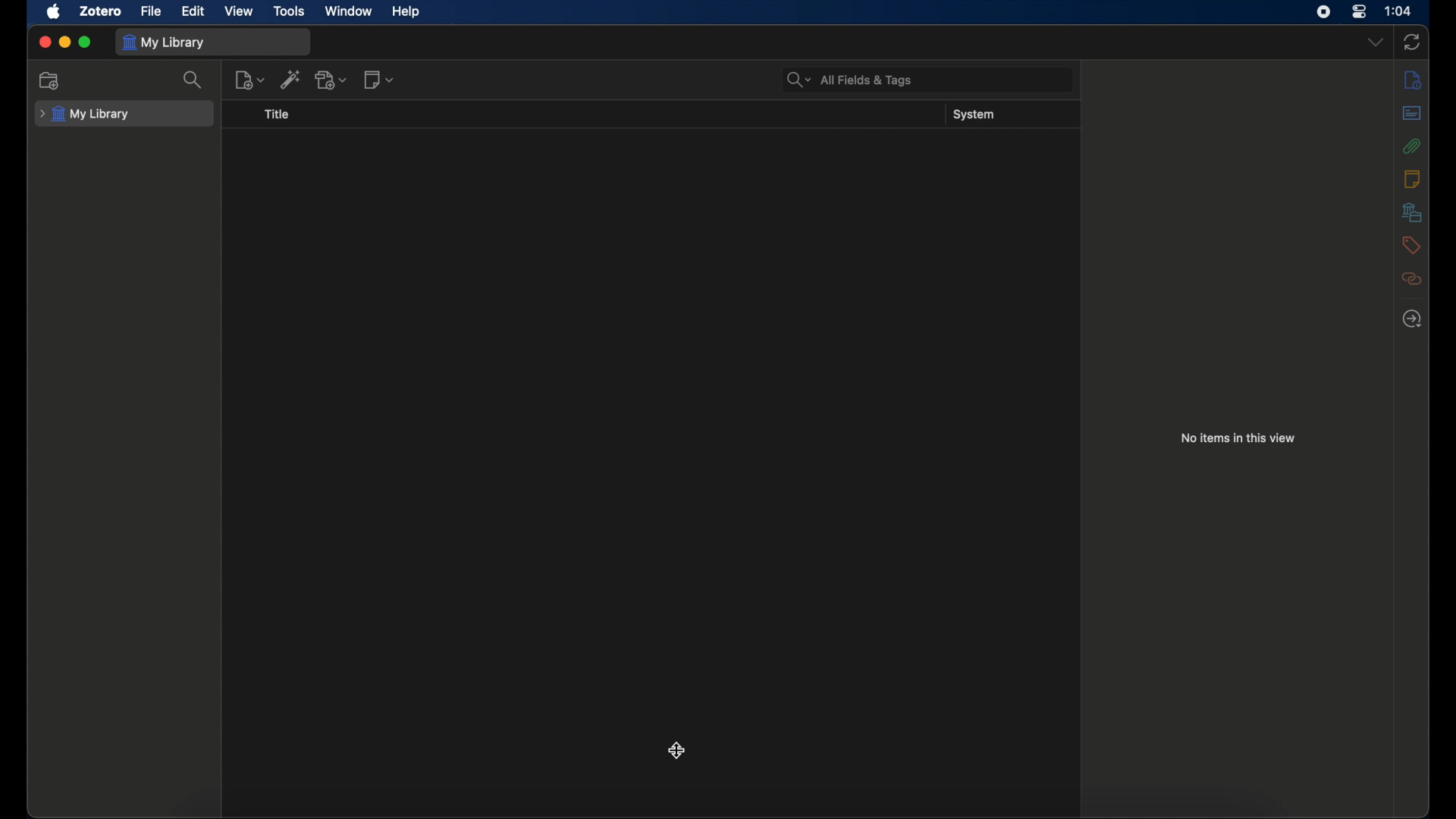 Image resolution: width=1456 pixels, height=819 pixels. I want to click on my library, so click(86, 115).